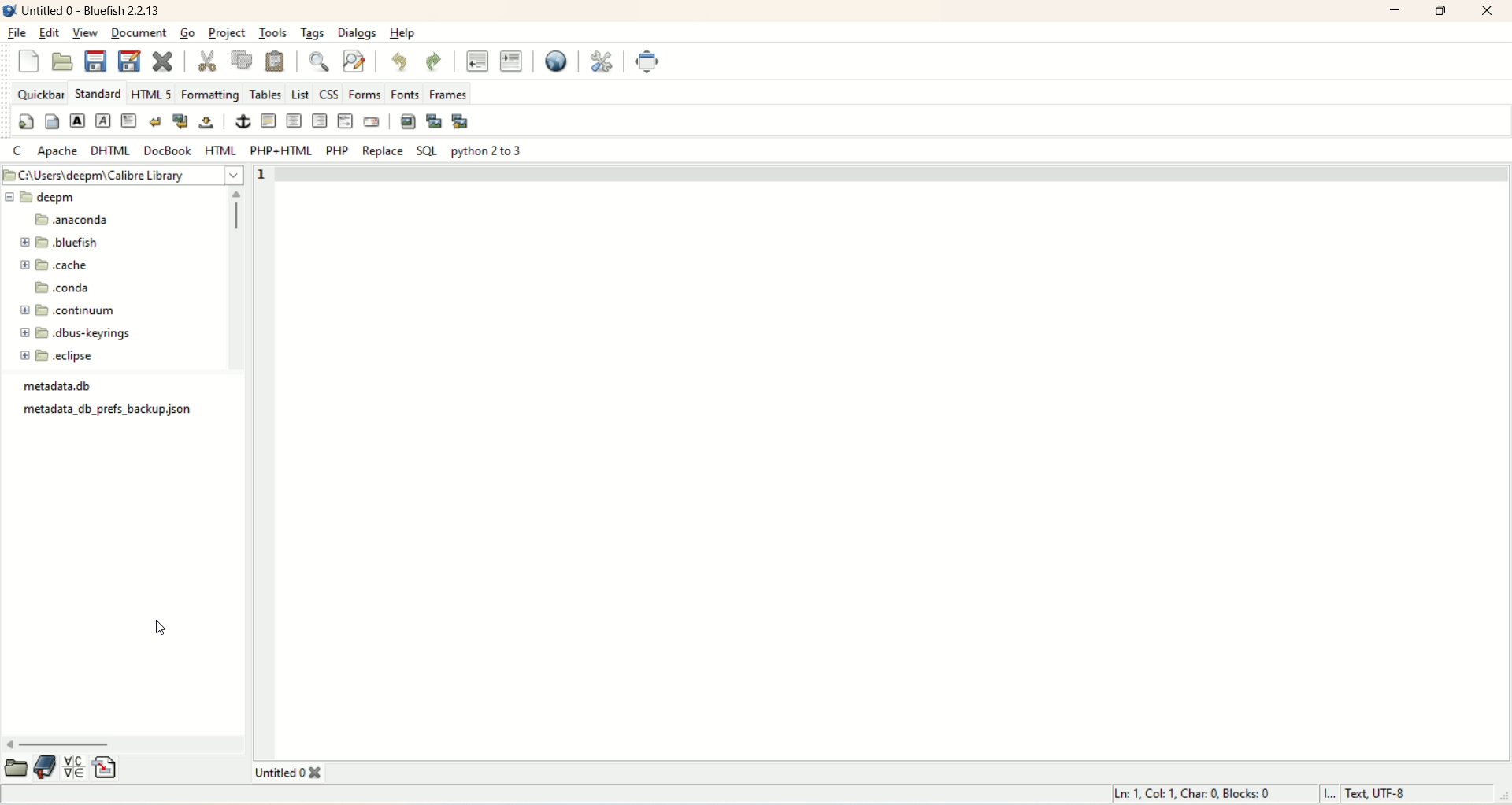 The image size is (1512, 805). I want to click on text, UTF-8, so click(1401, 794).